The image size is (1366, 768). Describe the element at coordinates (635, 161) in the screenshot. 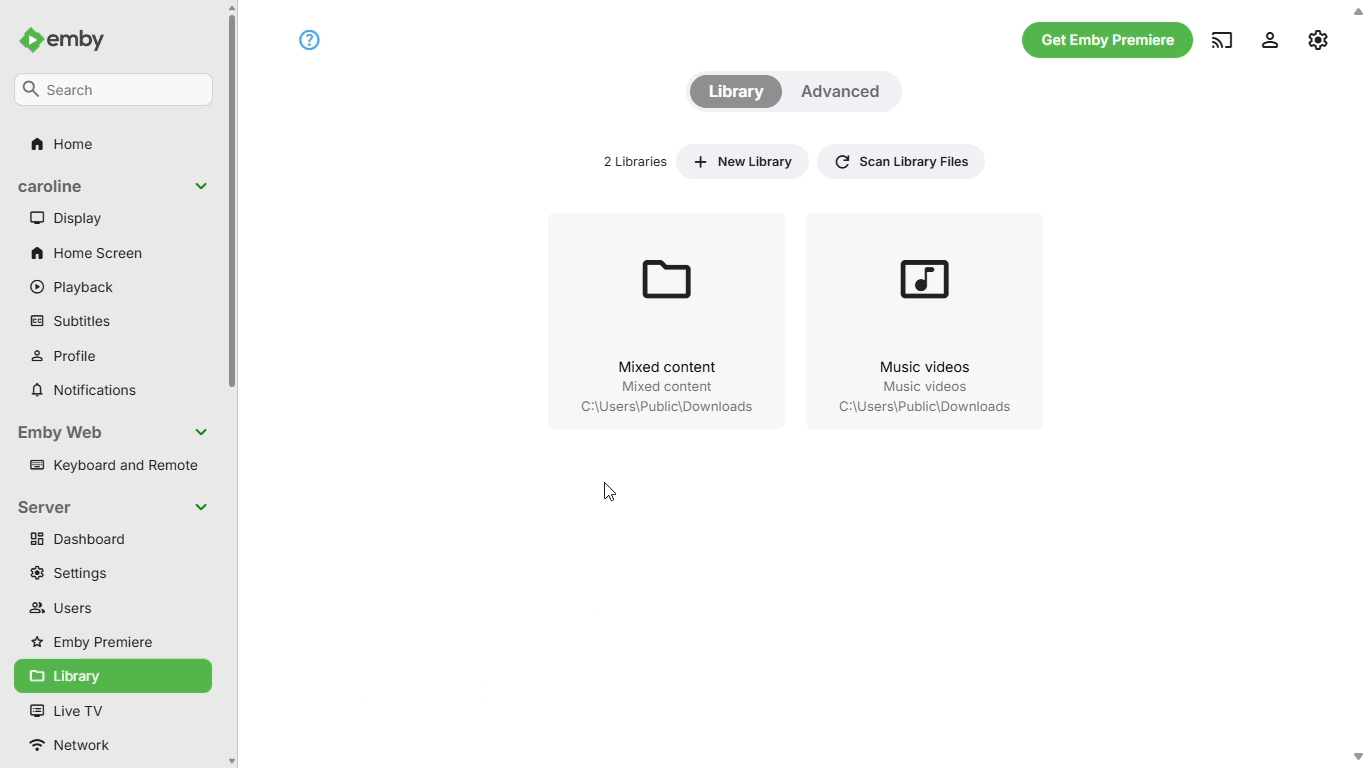

I see `2 libraries` at that location.